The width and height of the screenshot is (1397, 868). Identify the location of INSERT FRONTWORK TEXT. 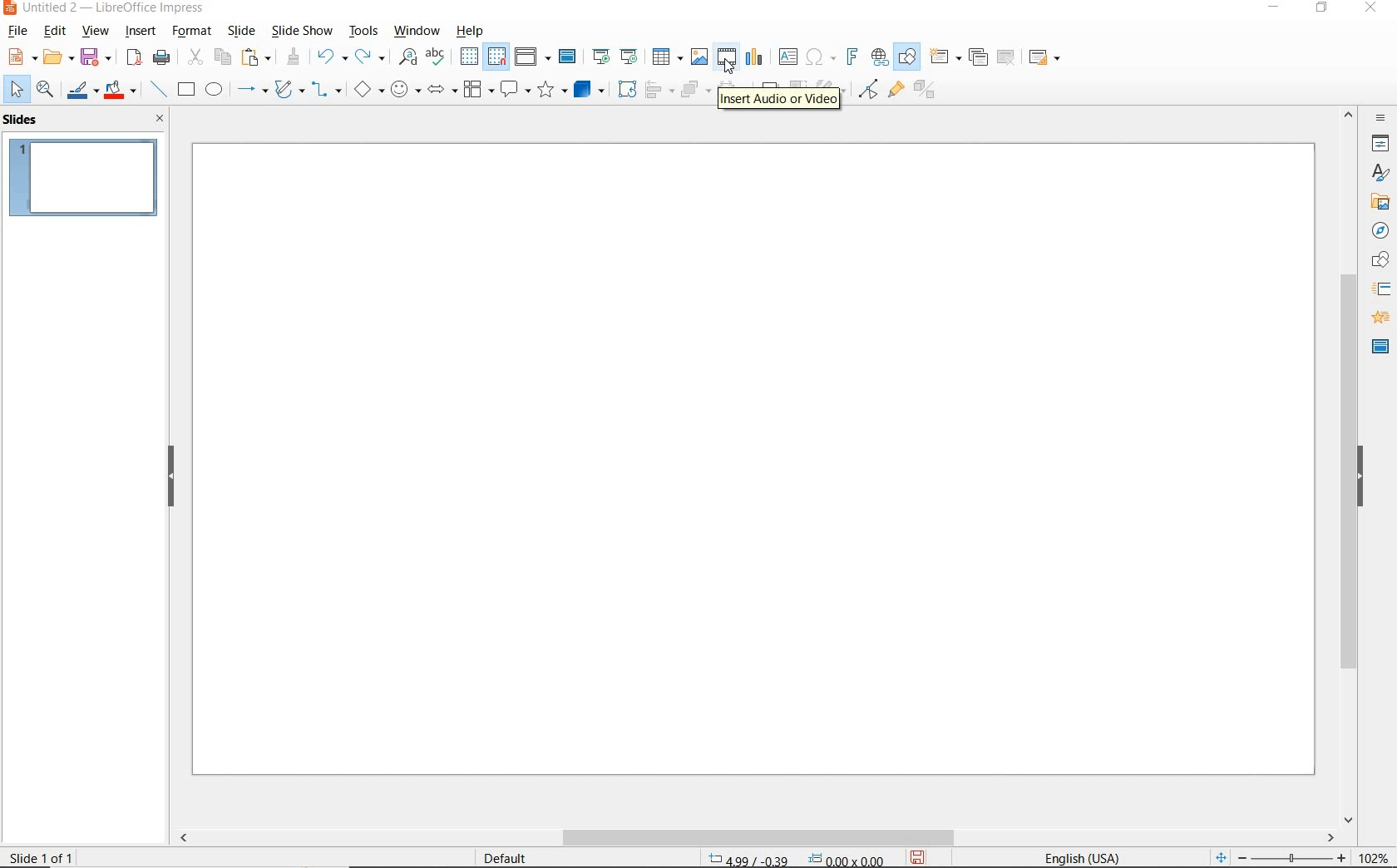
(851, 56).